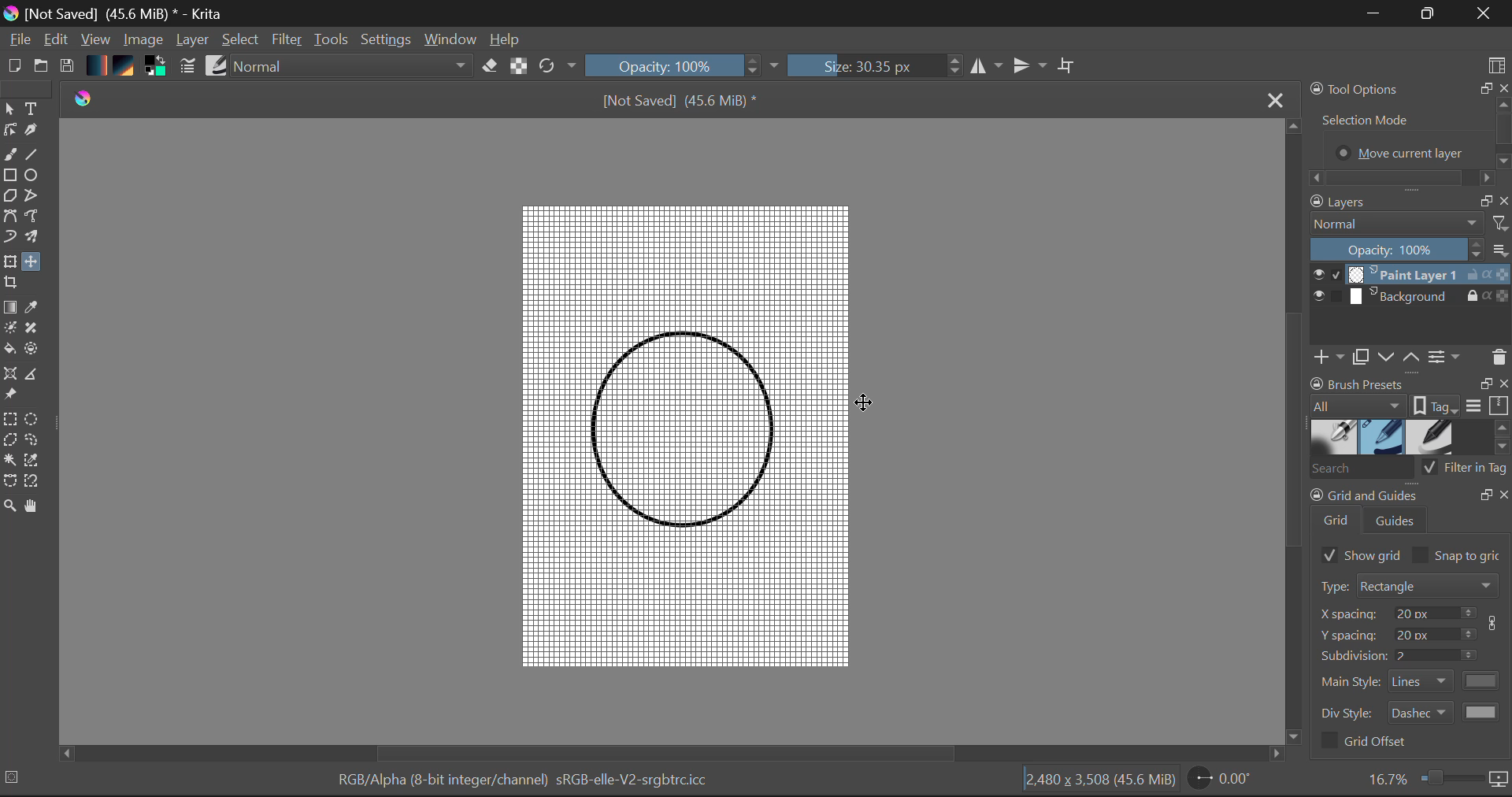 This screenshot has height=797, width=1512. What do you see at coordinates (9, 218) in the screenshot?
I see `Bezier Curve` at bounding box center [9, 218].